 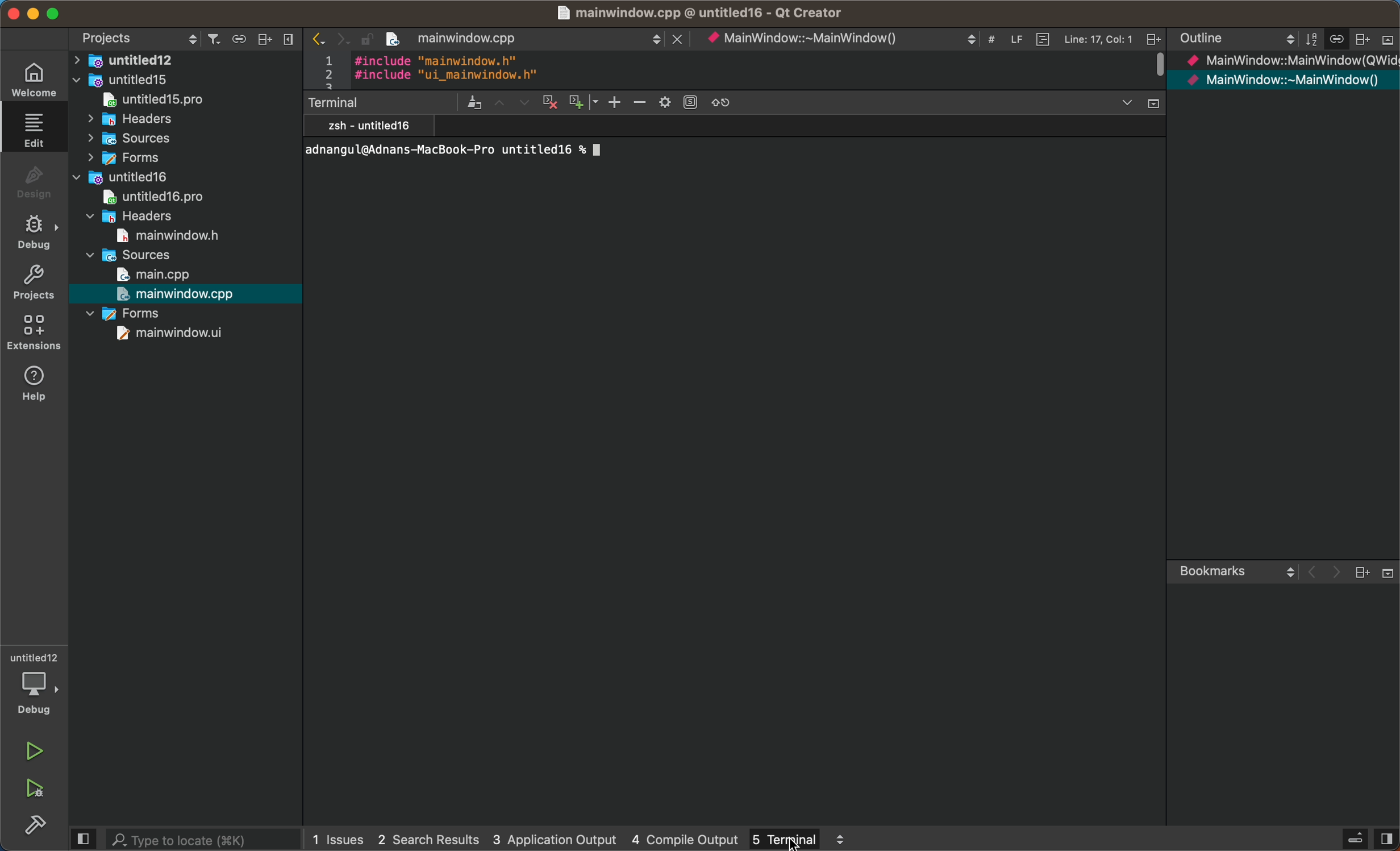 I want to click on file and folder, so click(x=185, y=80).